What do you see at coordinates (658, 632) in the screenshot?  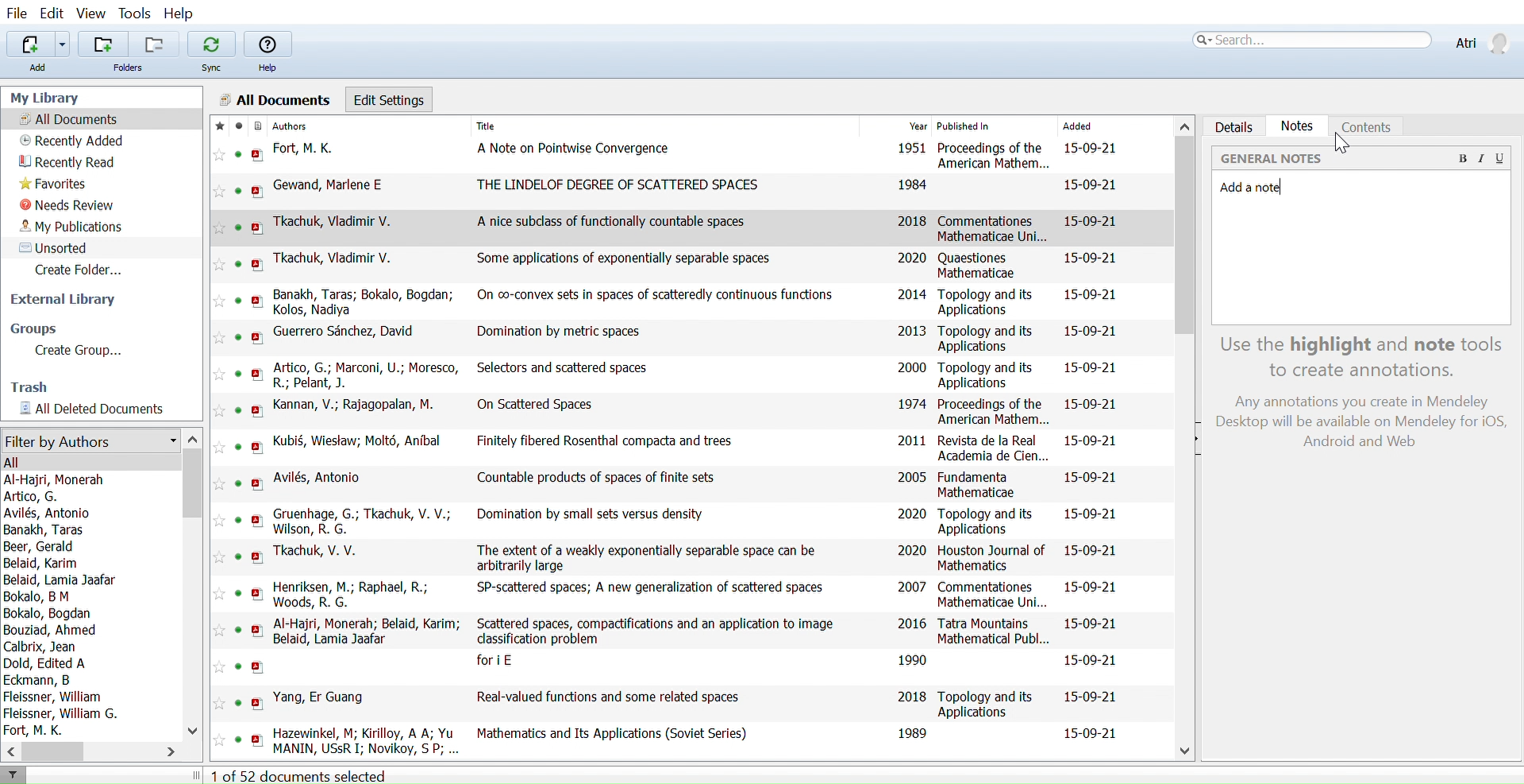 I see `Scattered spaces, compactifications and an application to image classification problem` at bounding box center [658, 632].